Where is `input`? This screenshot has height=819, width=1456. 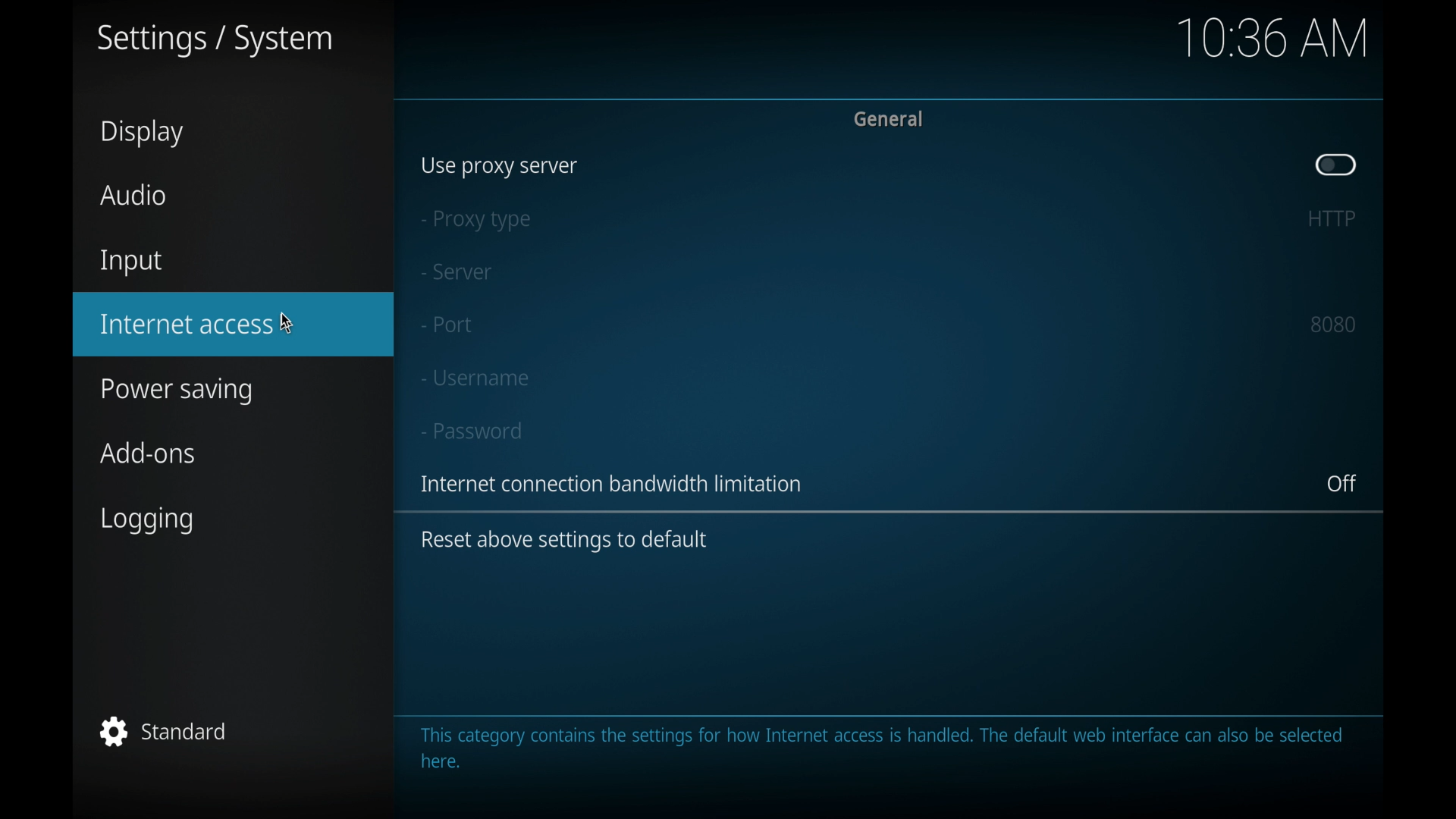
input is located at coordinates (131, 263).